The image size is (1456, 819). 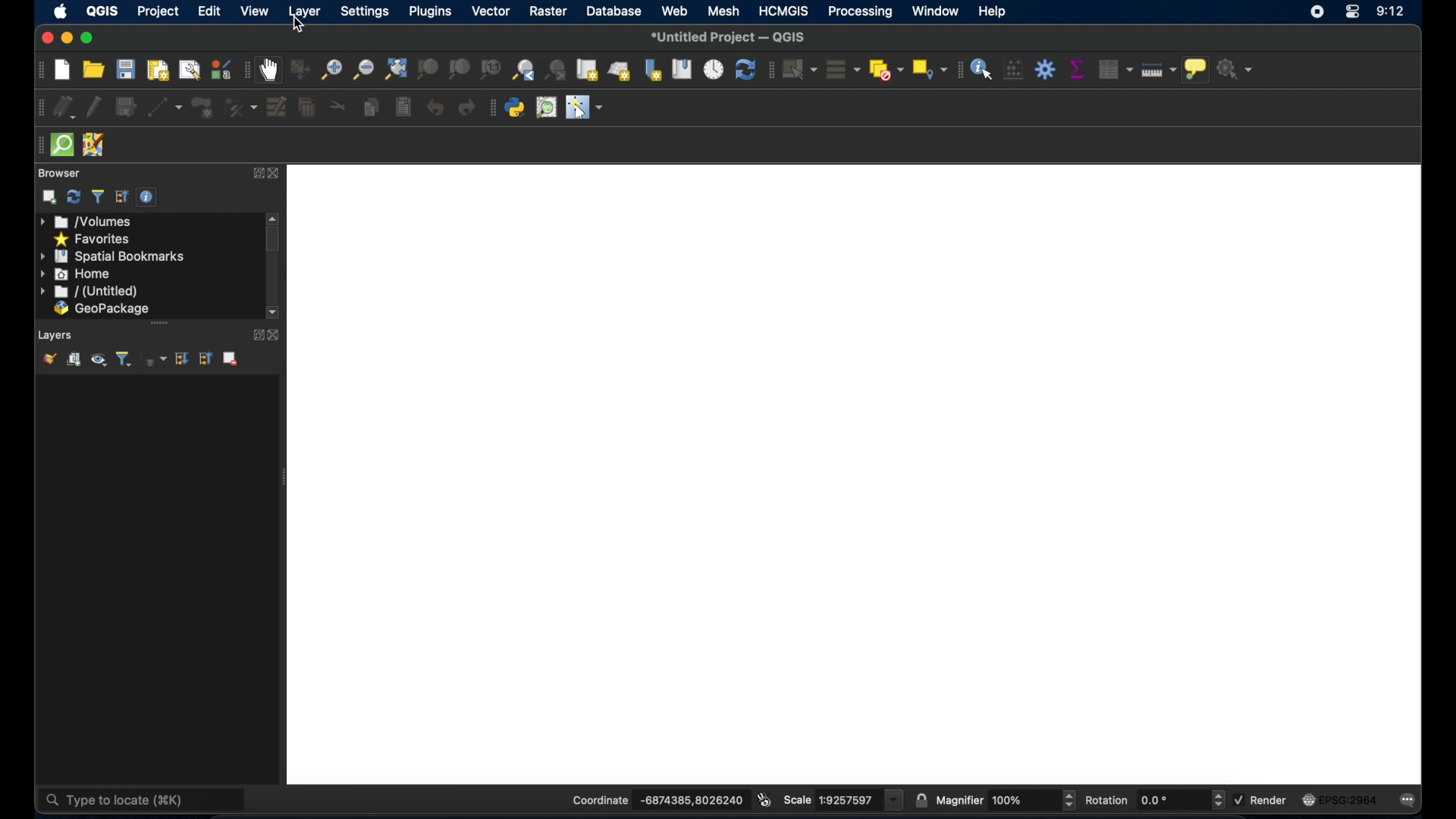 What do you see at coordinates (99, 361) in the screenshot?
I see `manage map themes` at bounding box center [99, 361].